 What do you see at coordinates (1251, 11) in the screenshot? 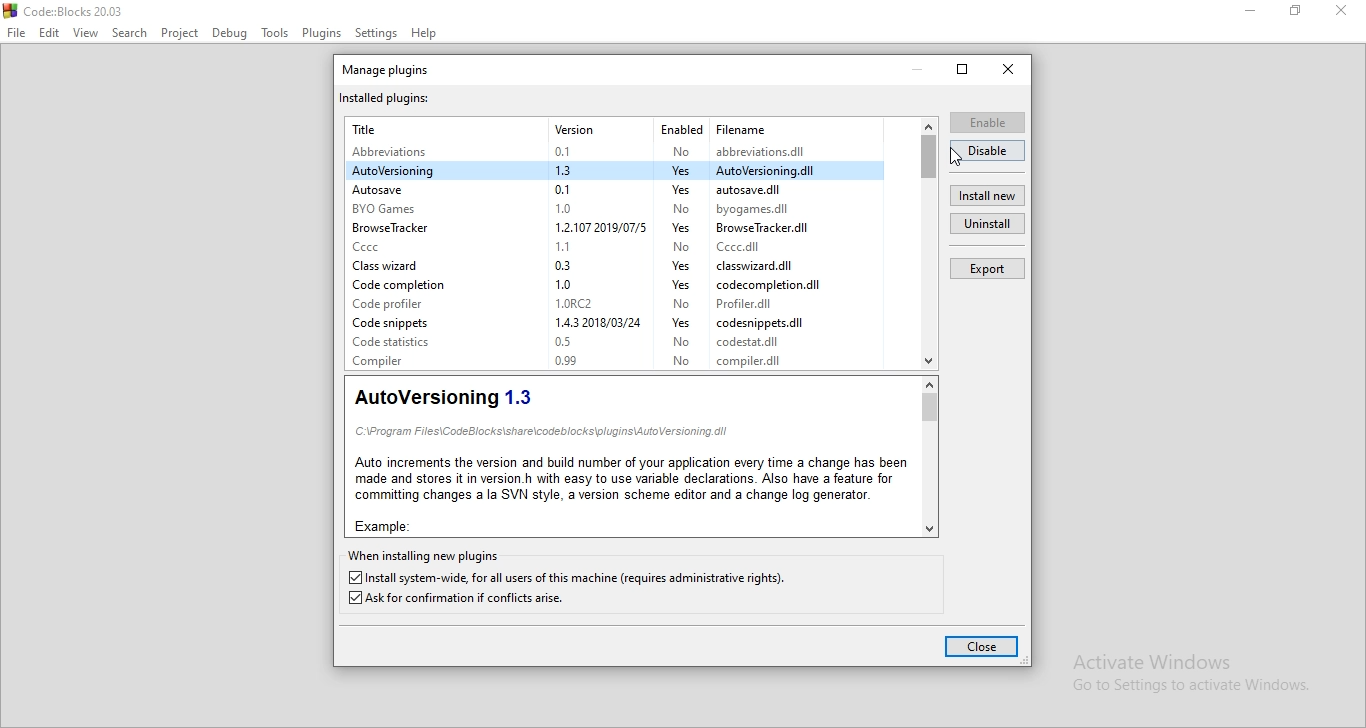
I see `minimise` at bounding box center [1251, 11].